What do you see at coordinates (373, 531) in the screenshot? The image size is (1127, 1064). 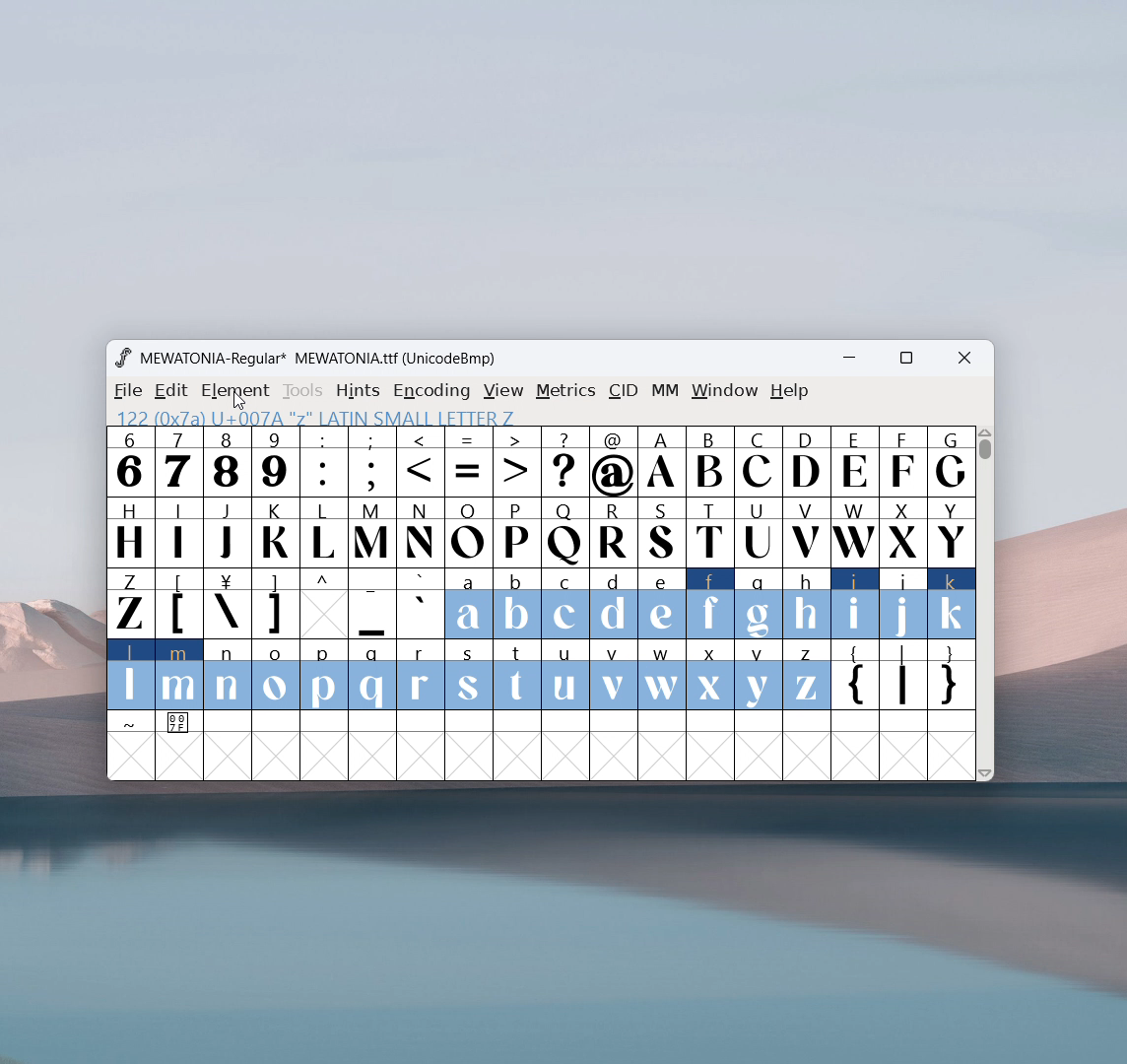 I see `M` at bounding box center [373, 531].